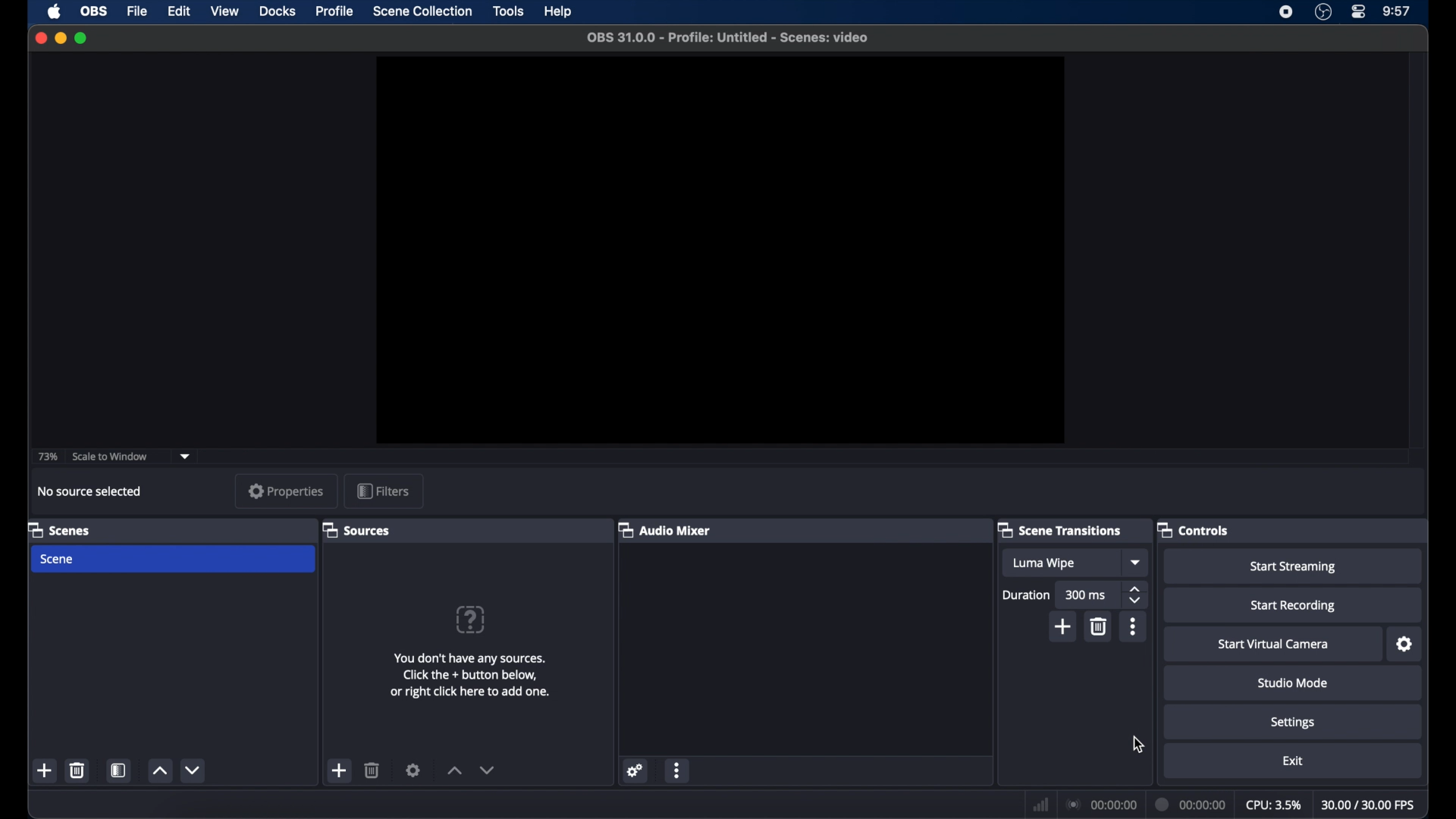 This screenshot has height=819, width=1456. Describe the element at coordinates (1137, 562) in the screenshot. I see `dropdown` at that location.